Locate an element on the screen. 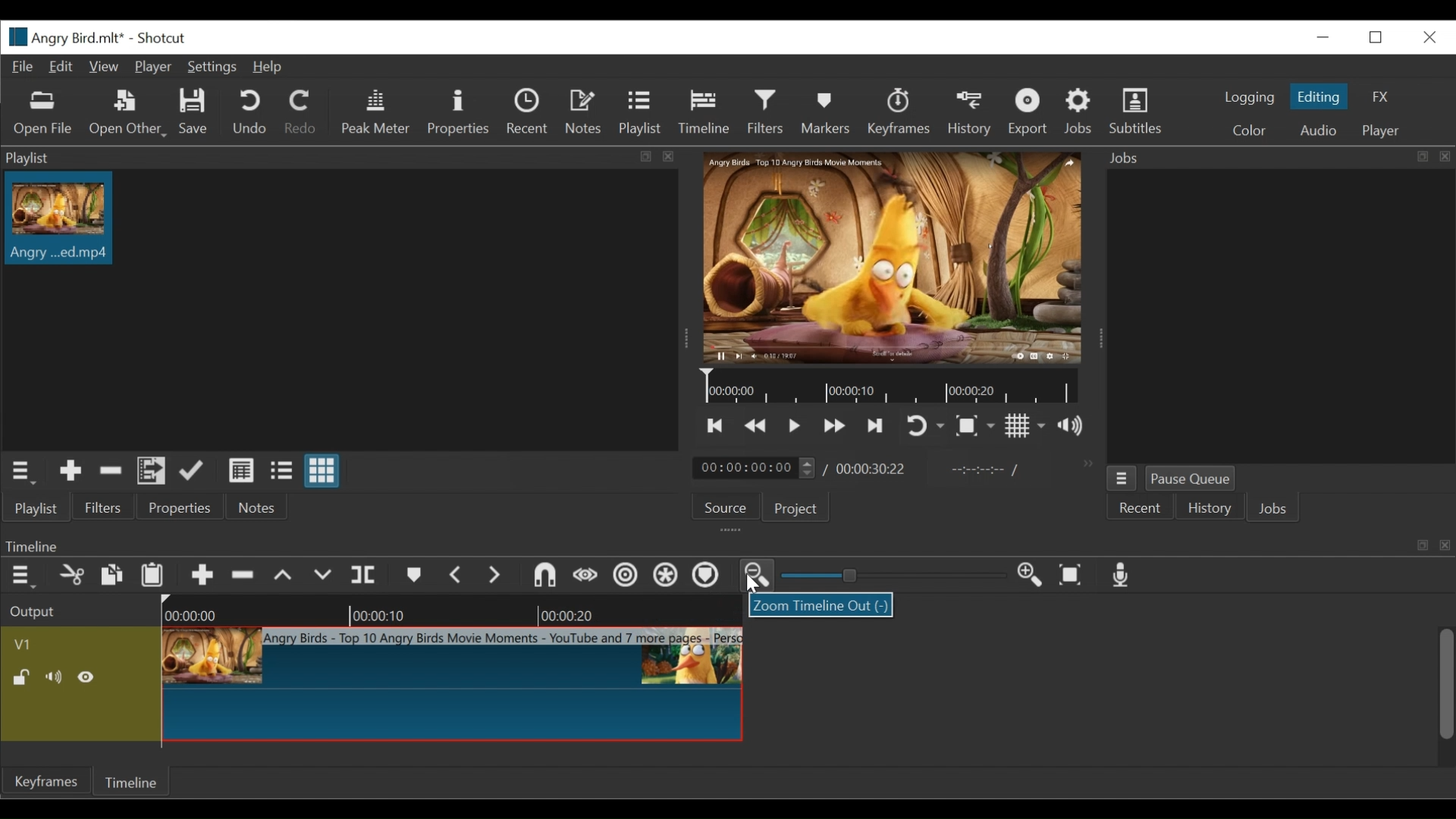  Save is located at coordinates (196, 111).